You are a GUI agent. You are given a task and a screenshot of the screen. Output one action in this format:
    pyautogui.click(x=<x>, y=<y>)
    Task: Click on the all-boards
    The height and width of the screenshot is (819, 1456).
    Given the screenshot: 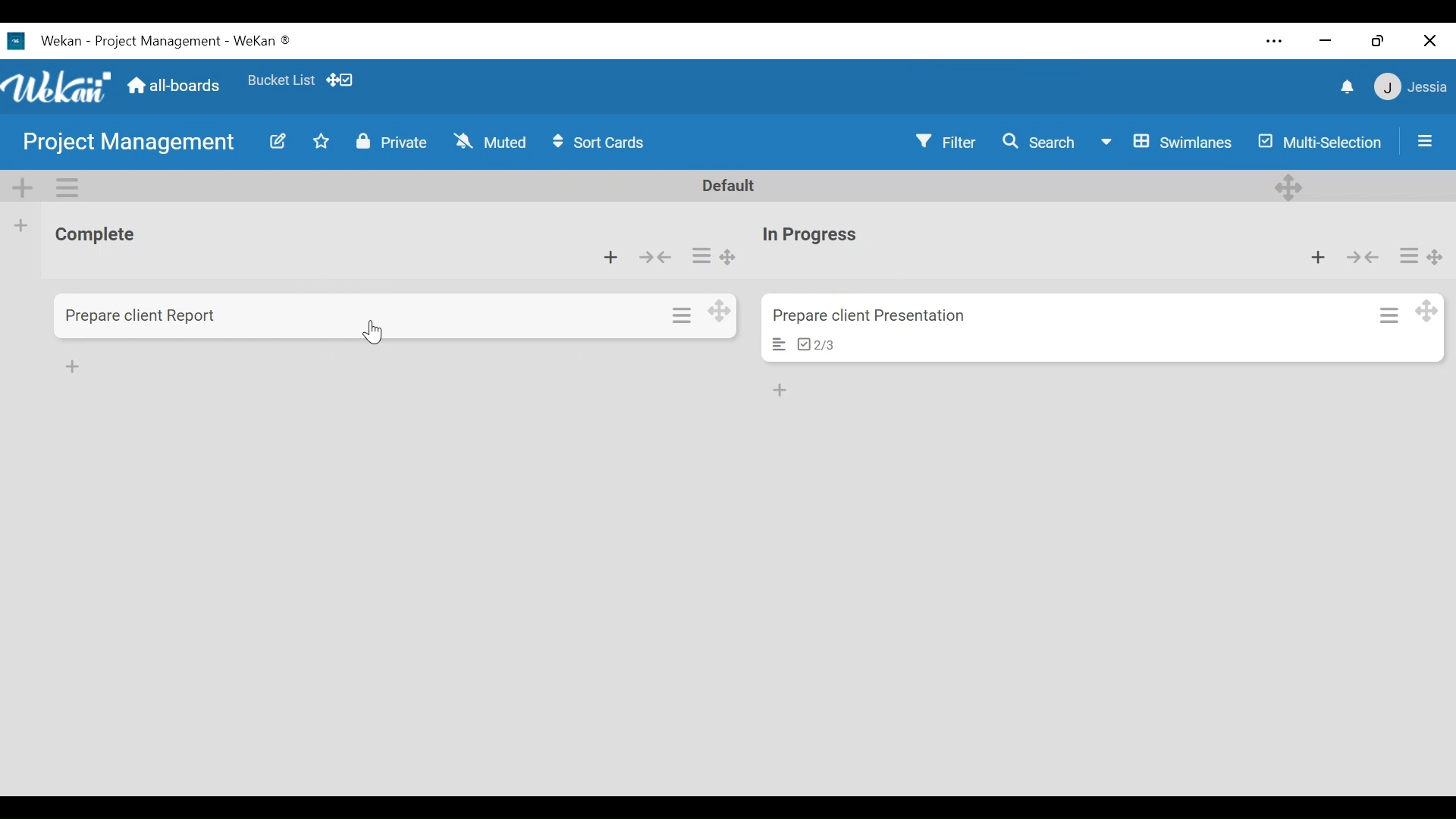 What is the action you would take?
    pyautogui.click(x=171, y=85)
    